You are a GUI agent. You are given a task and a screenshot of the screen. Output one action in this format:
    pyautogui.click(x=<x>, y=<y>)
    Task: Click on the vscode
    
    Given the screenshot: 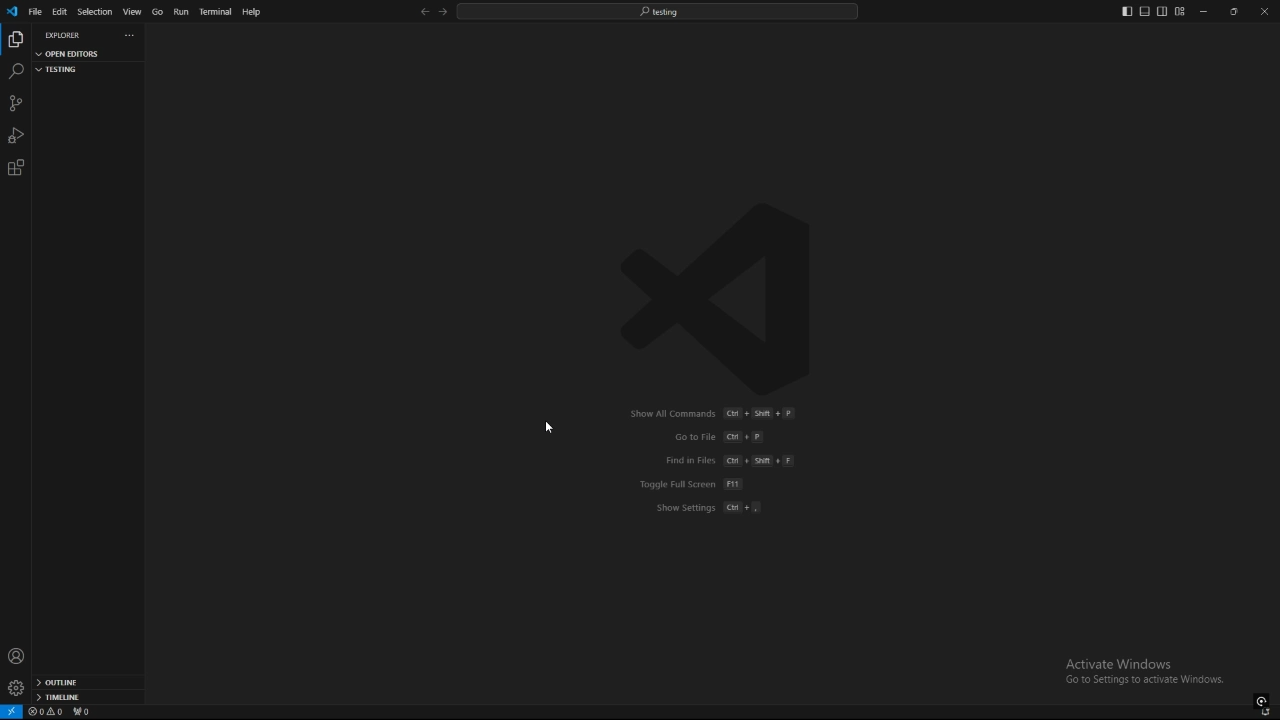 What is the action you would take?
    pyautogui.click(x=11, y=12)
    